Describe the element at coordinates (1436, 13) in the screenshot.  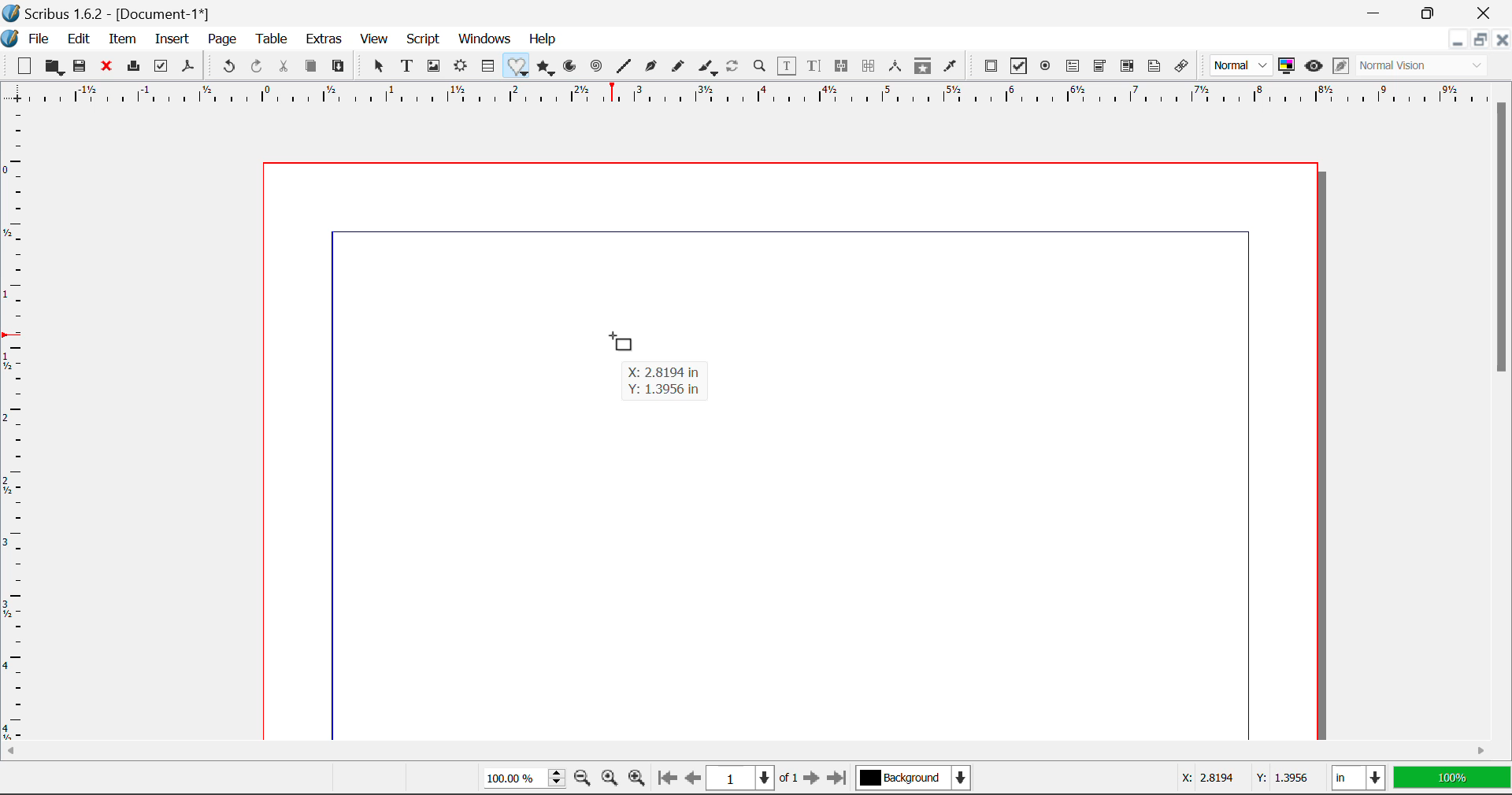
I see `Minimize` at that location.